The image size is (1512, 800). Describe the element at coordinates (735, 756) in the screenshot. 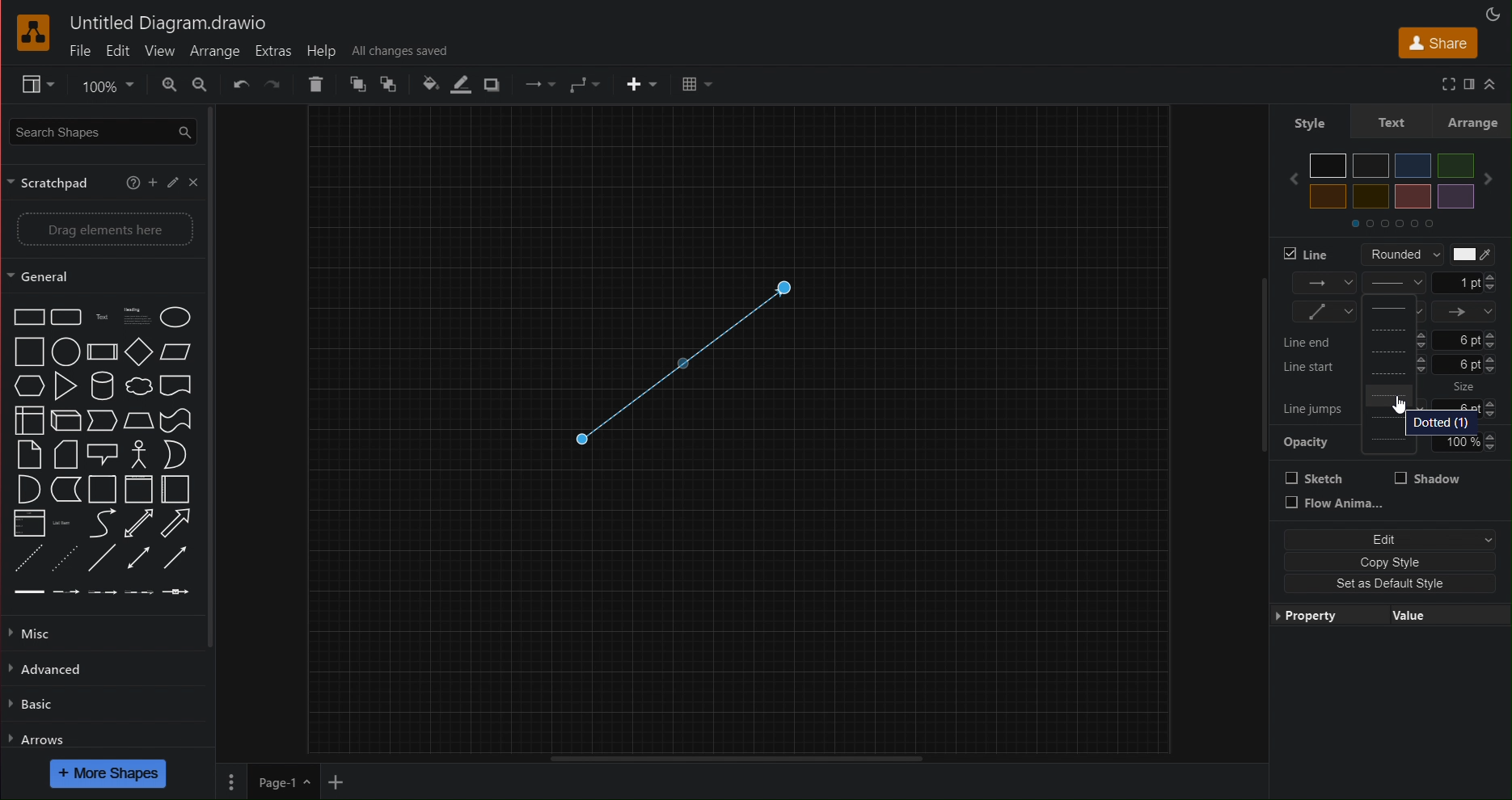

I see `page limit` at that location.